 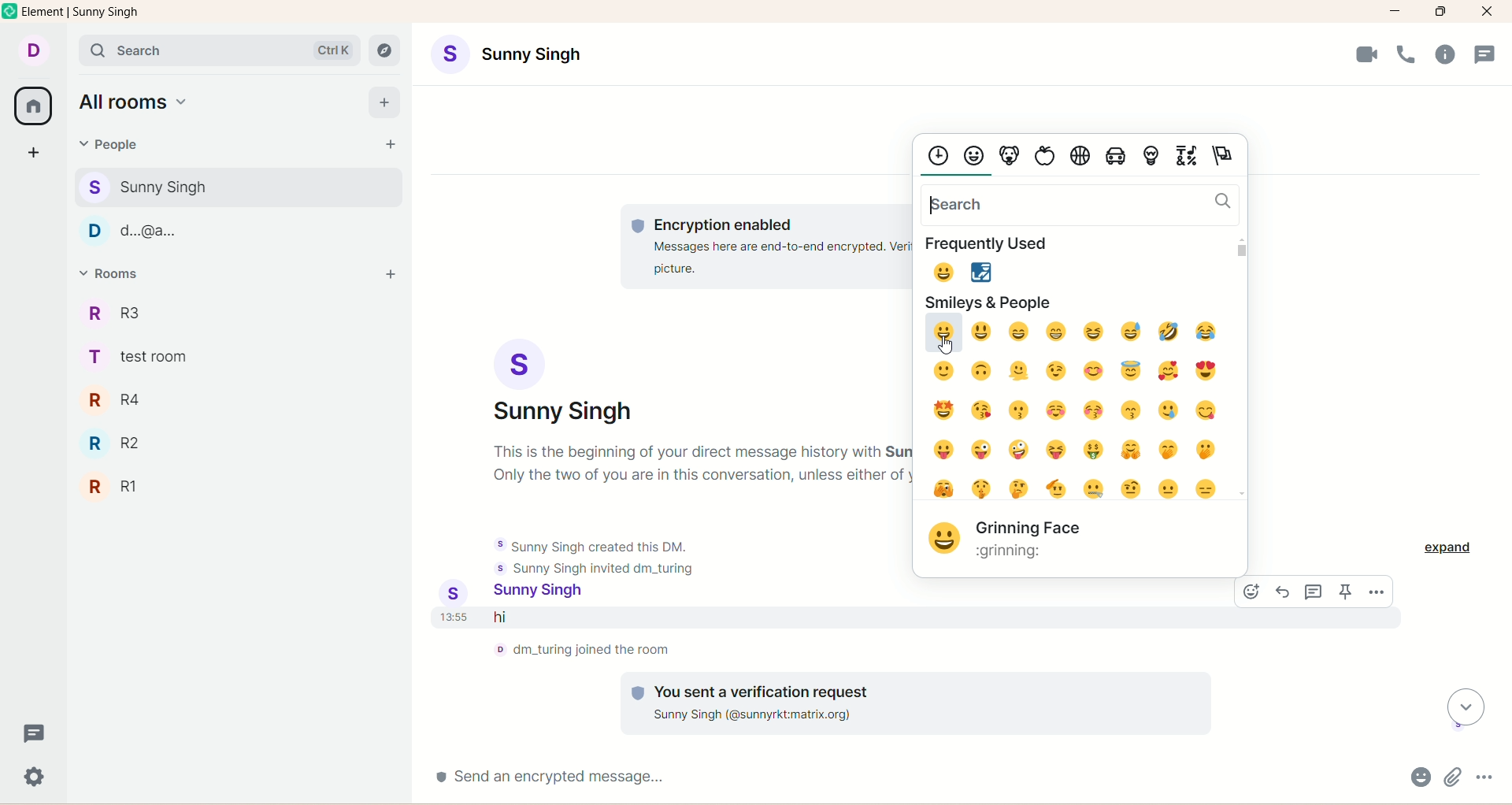 I want to click on search, so click(x=1081, y=206).